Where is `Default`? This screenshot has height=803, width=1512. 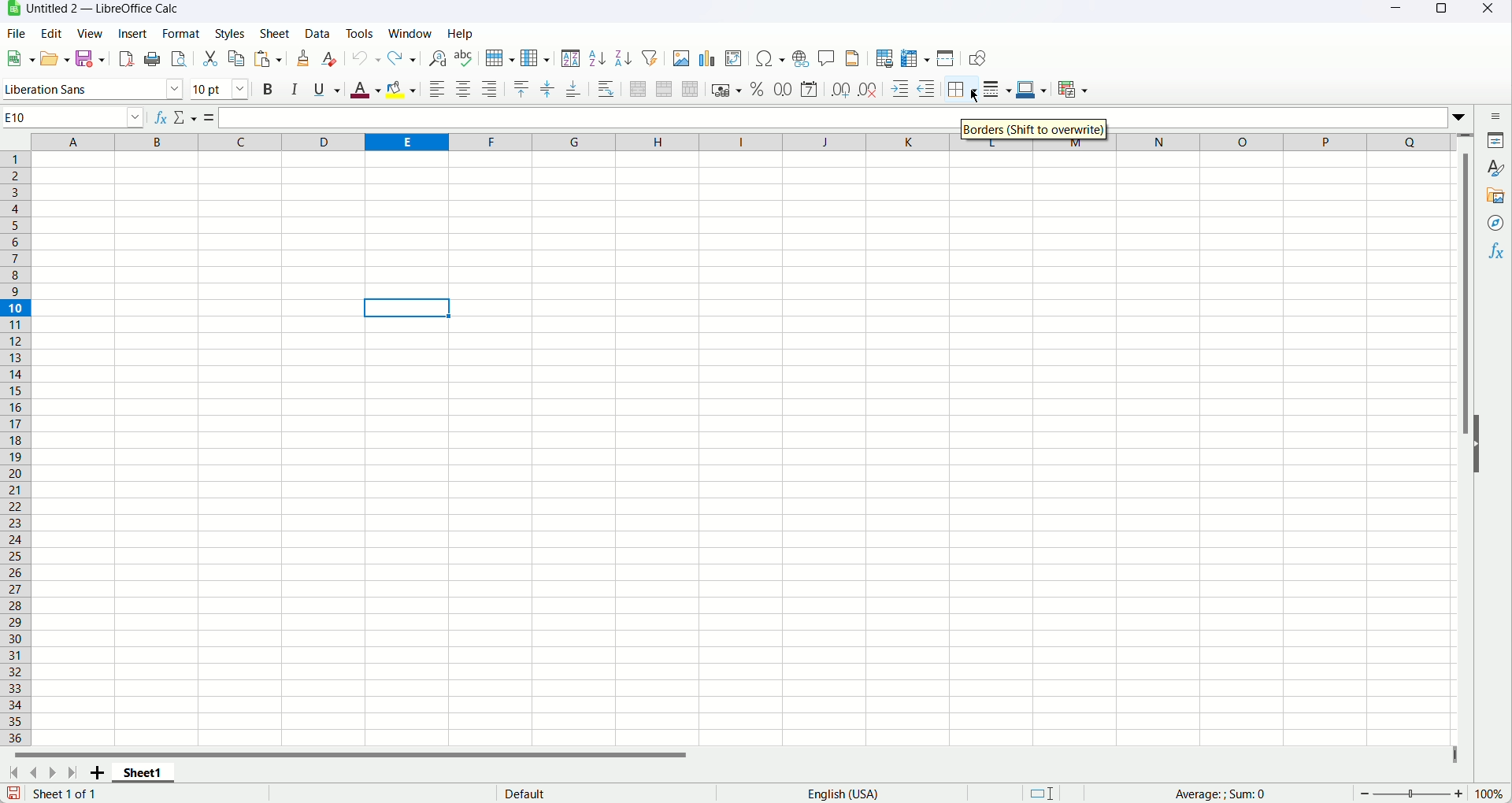 Default is located at coordinates (587, 794).